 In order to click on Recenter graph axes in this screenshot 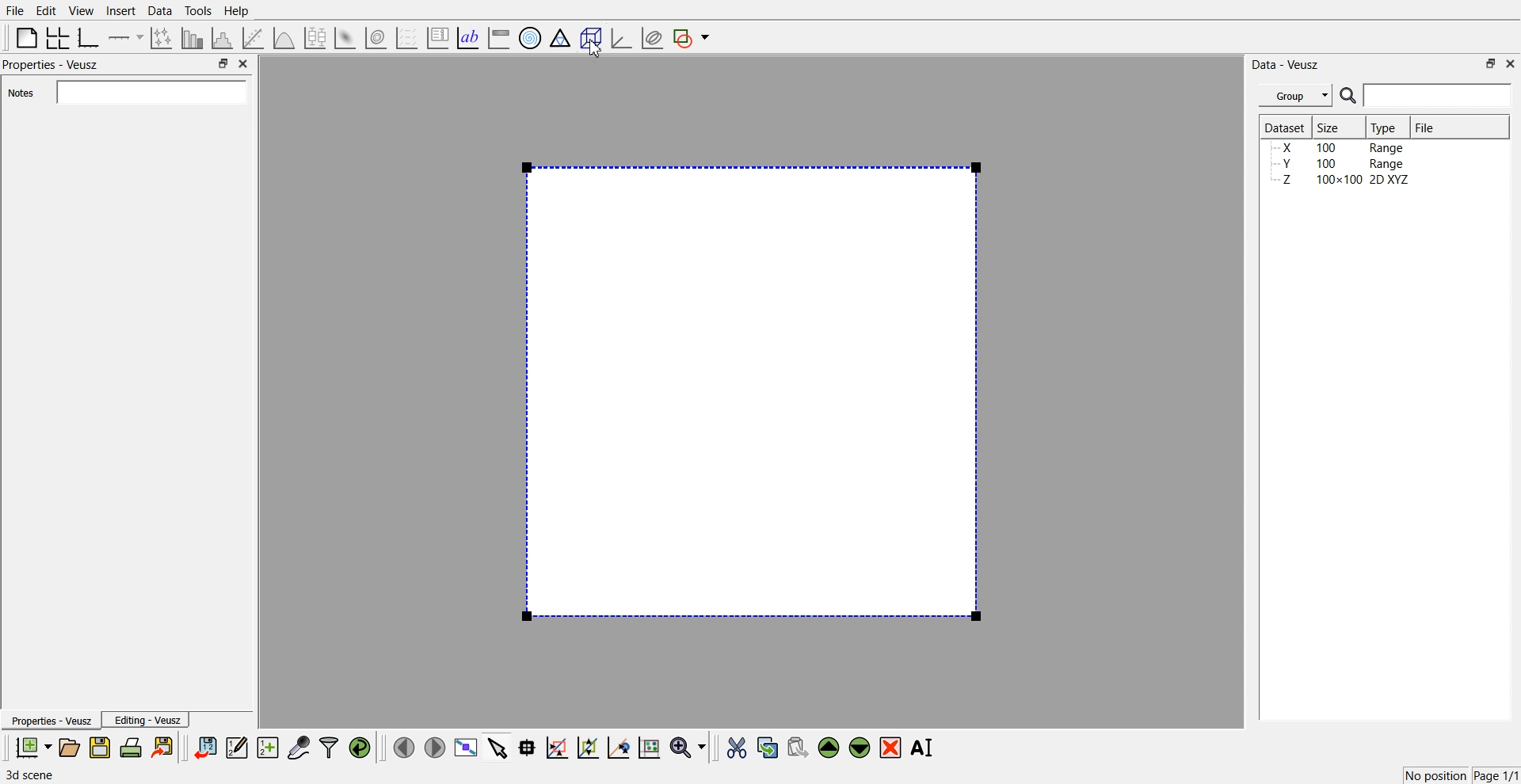, I will do `click(619, 747)`.